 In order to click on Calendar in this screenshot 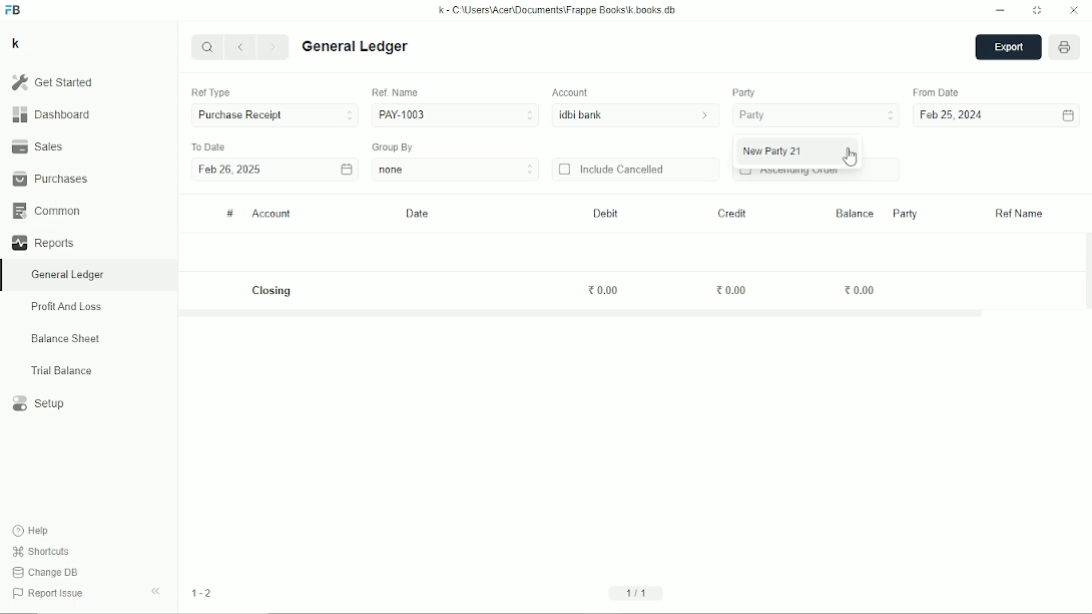, I will do `click(1068, 116)`.